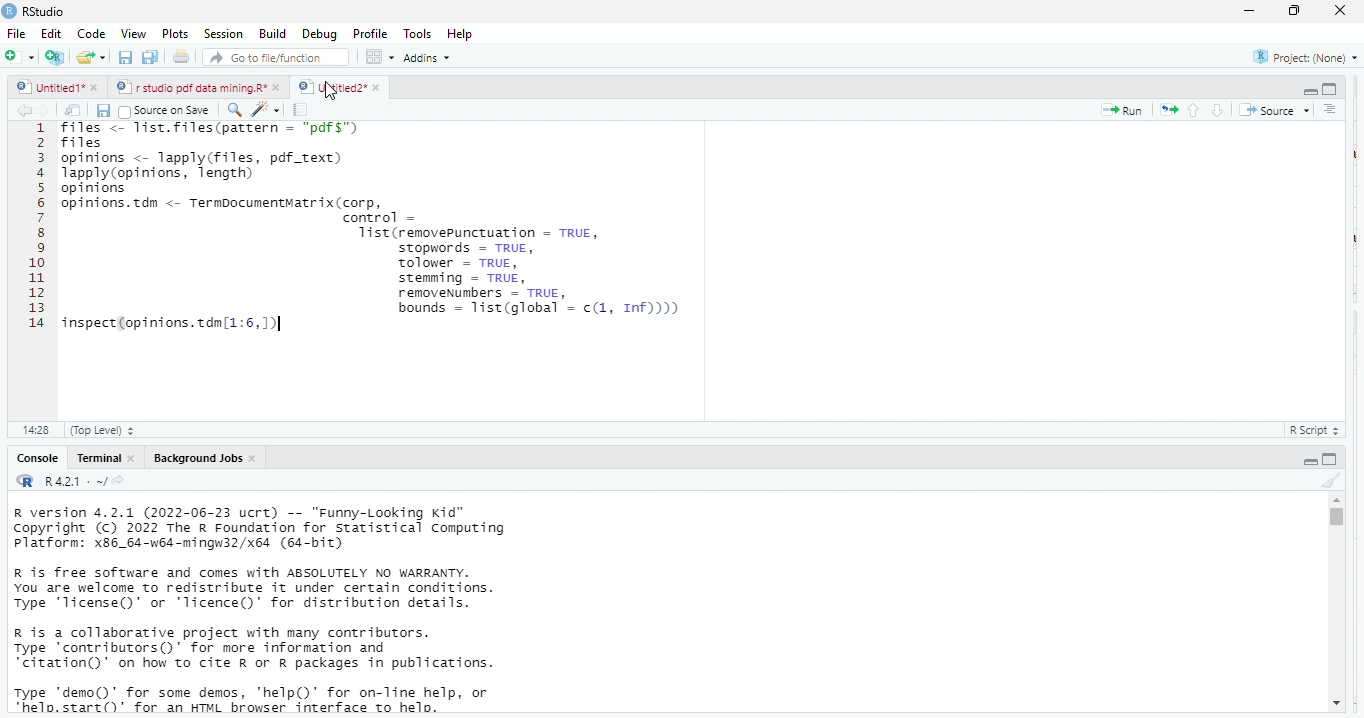  Describe the element at coordinates (432, 57) in the screenshot. I see `addins` at that location.